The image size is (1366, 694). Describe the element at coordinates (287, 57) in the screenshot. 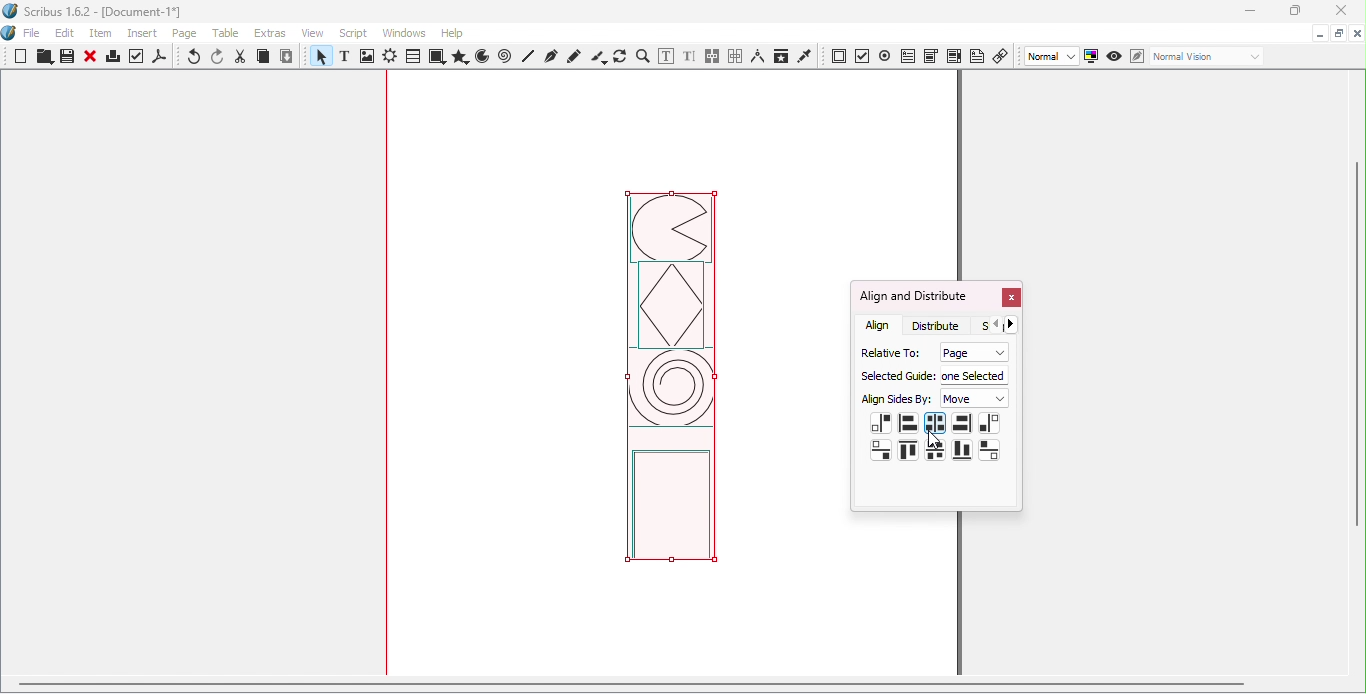

I see `Paste` at that location.